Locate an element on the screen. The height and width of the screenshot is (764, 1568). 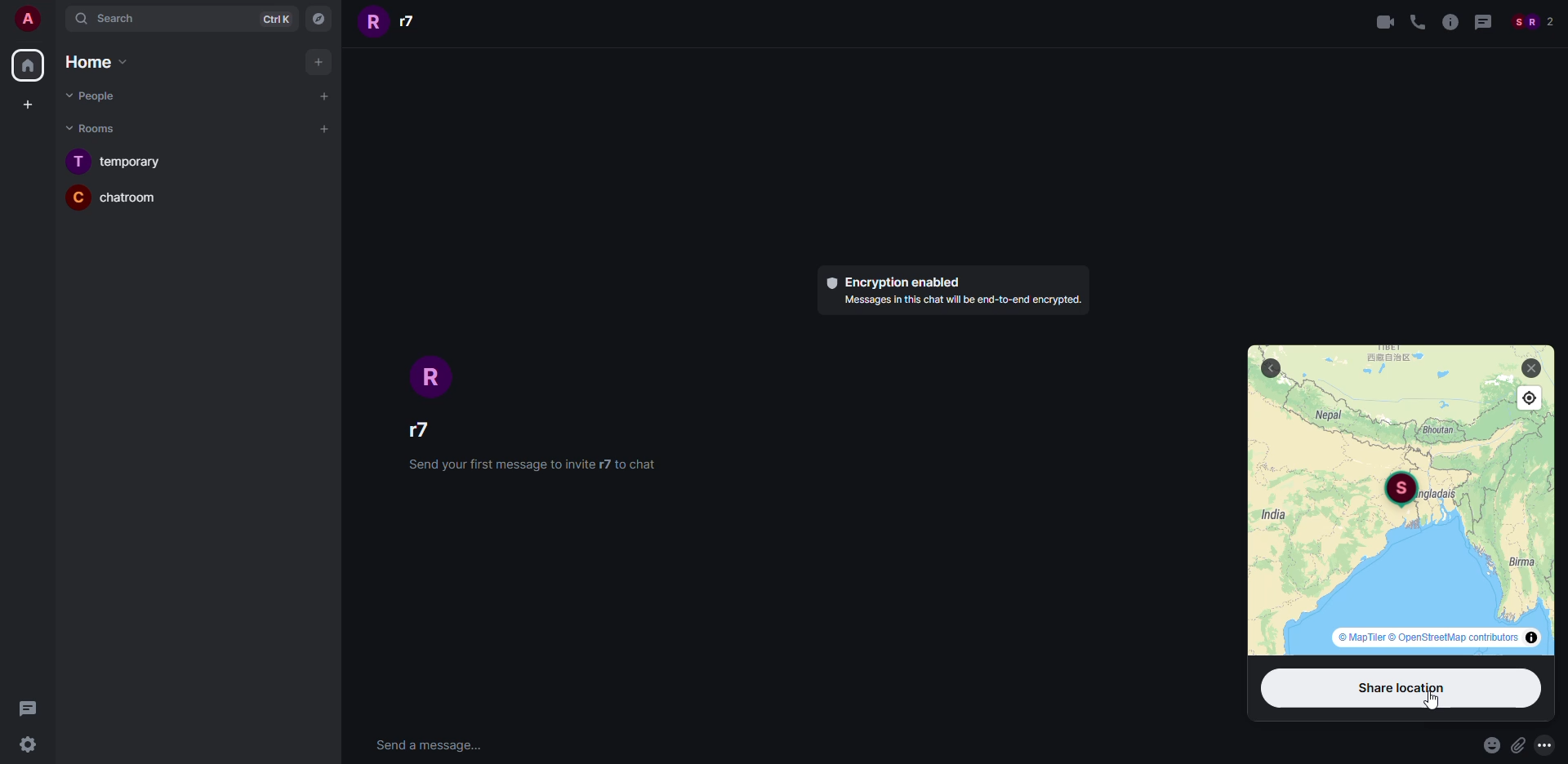
information is located at coordinates (1449, 23).